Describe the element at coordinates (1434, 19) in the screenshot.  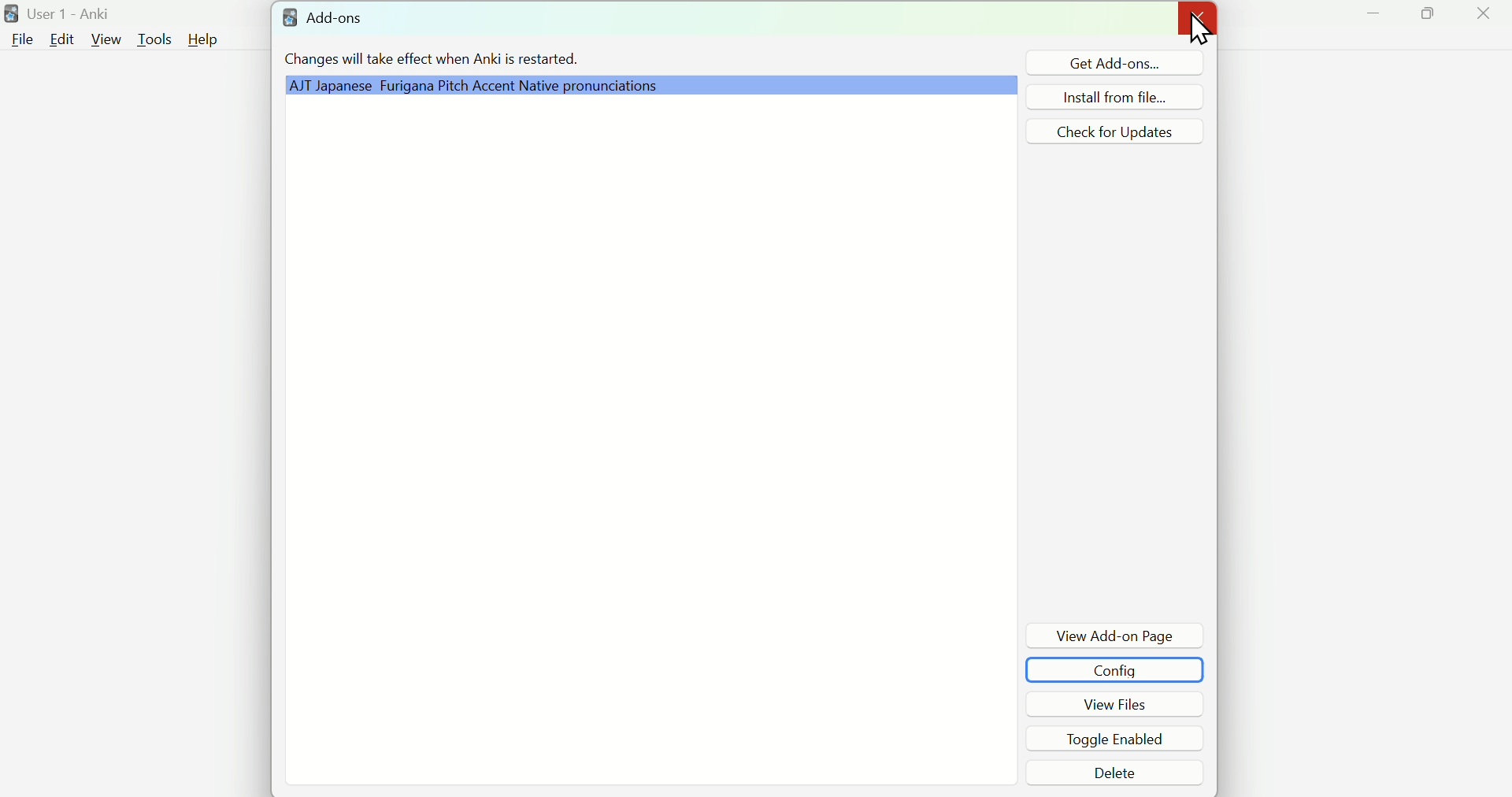
I see `Maximize` at that location.